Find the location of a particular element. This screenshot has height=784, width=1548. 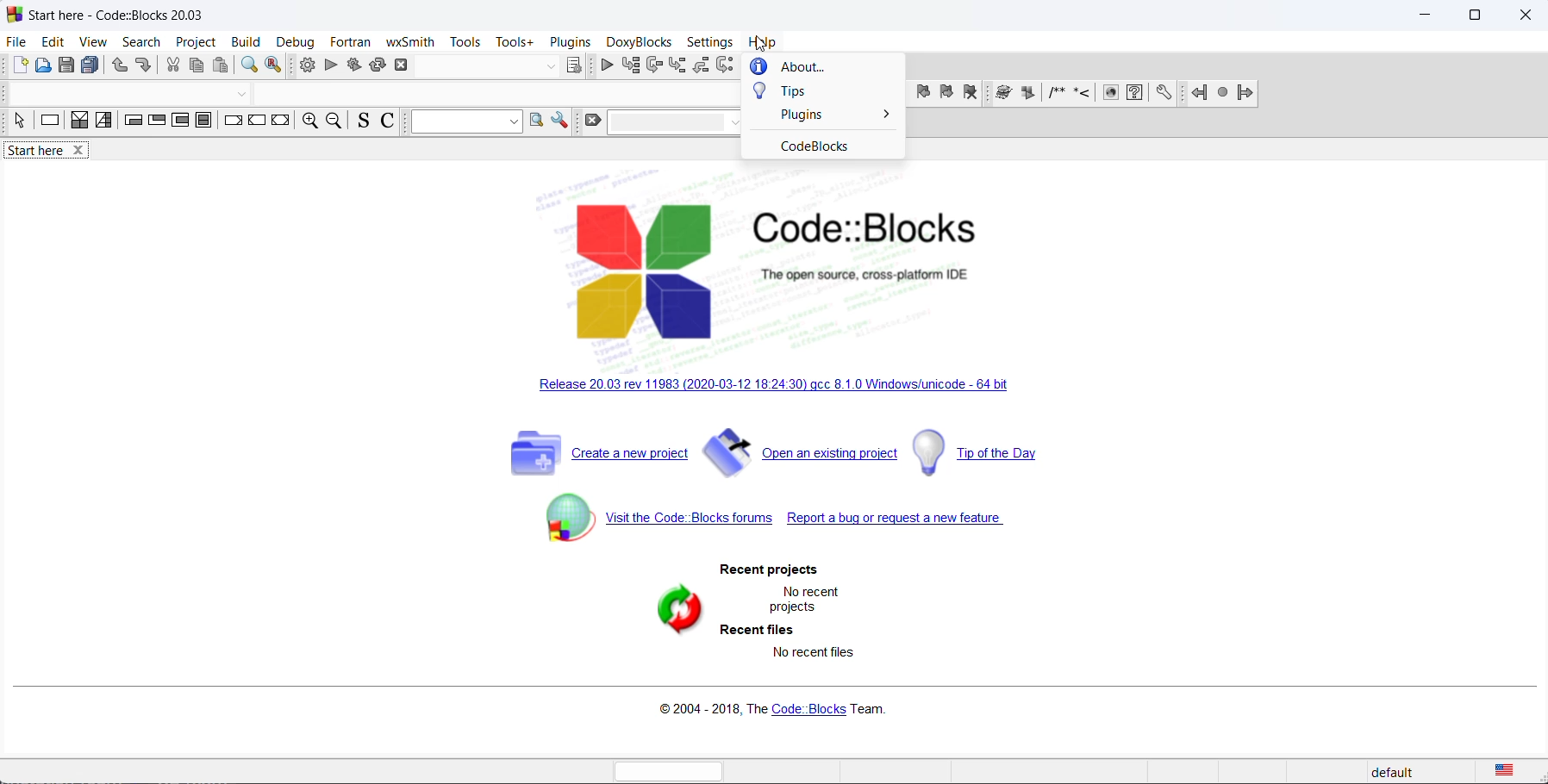

next line is located at coordinates (657, 65).